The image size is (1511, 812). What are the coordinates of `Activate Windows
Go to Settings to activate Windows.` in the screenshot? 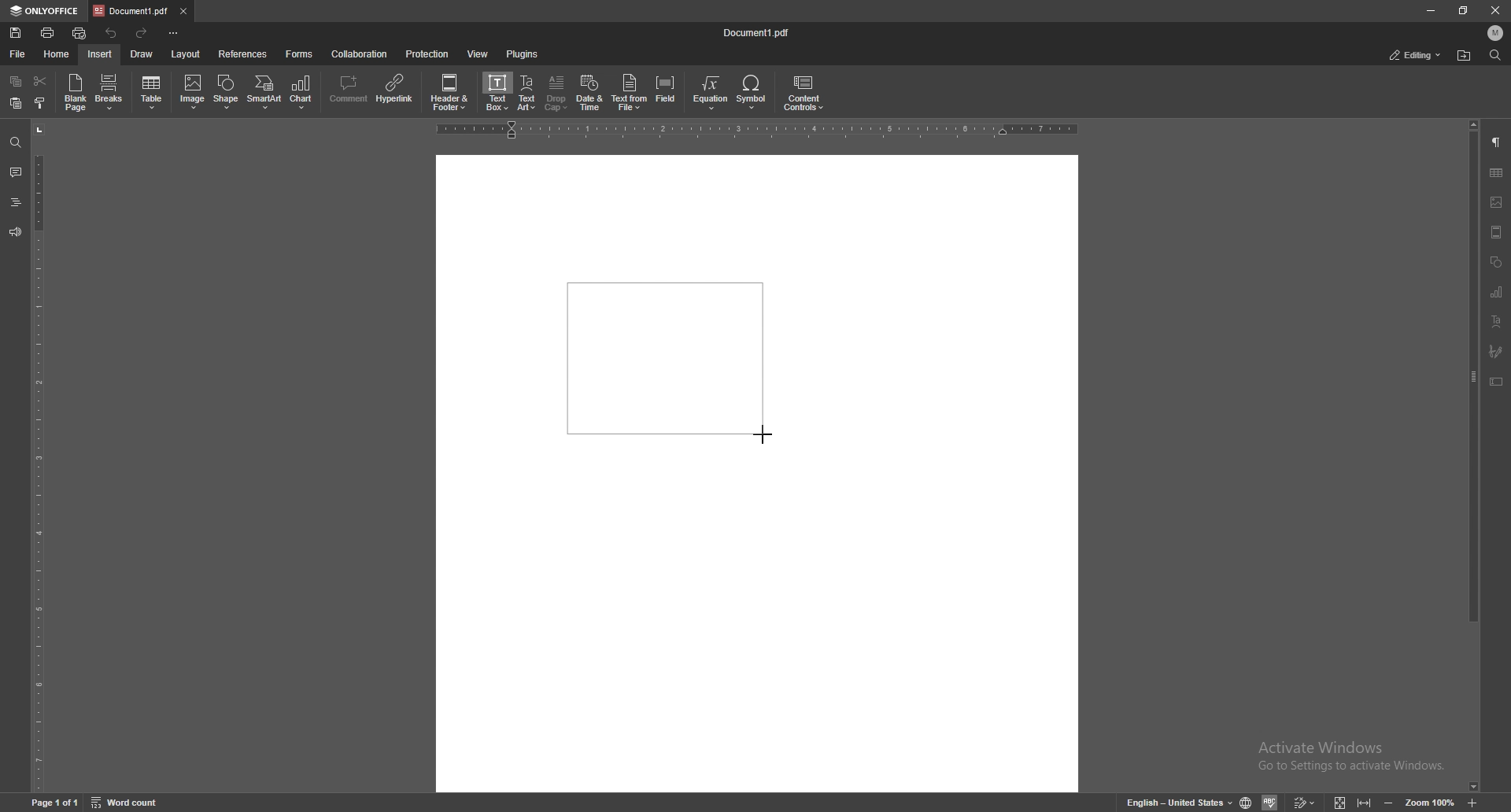 It's located at (1355, 757).